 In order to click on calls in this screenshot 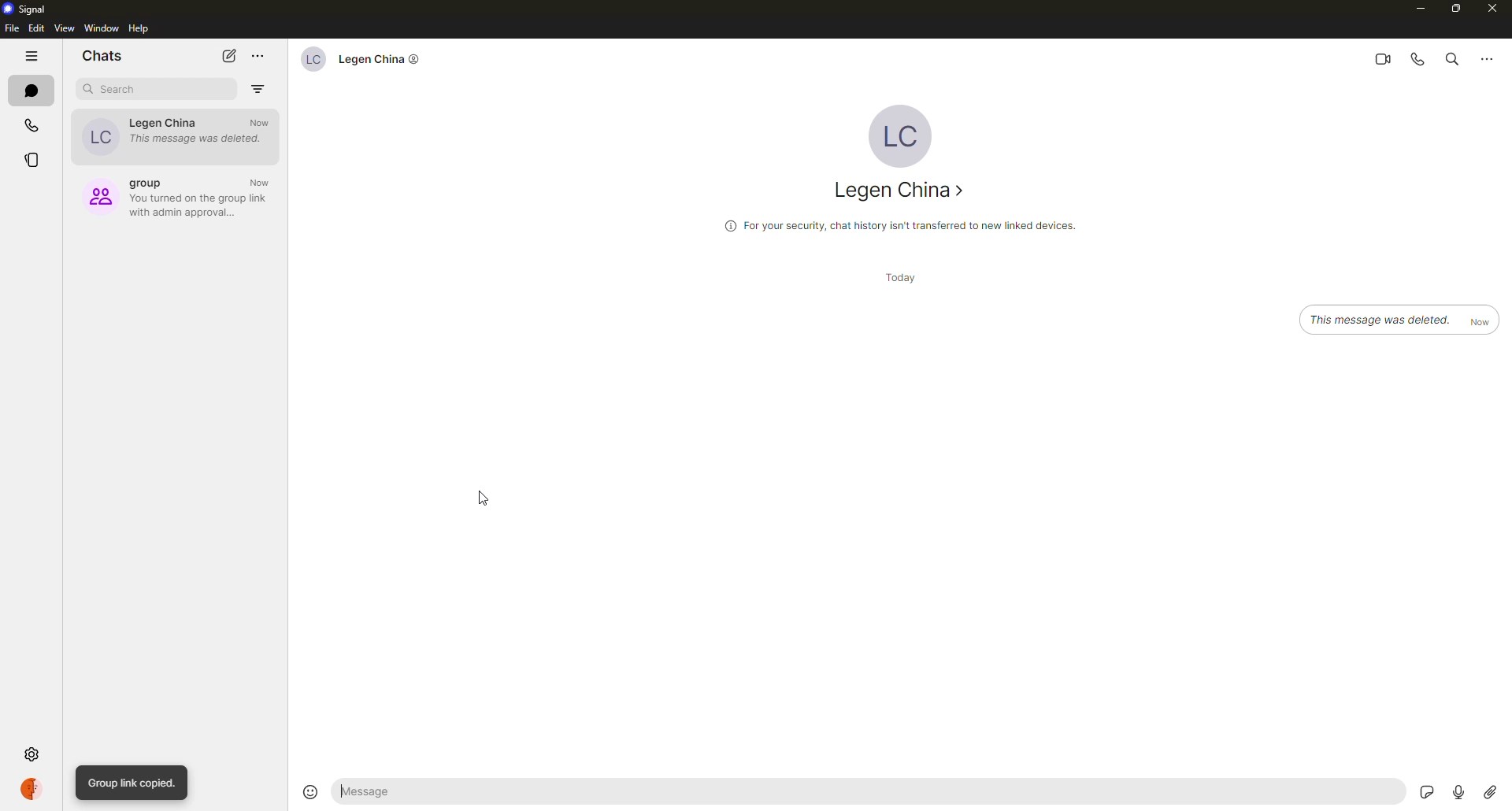, I will do `click(33, 126)`.